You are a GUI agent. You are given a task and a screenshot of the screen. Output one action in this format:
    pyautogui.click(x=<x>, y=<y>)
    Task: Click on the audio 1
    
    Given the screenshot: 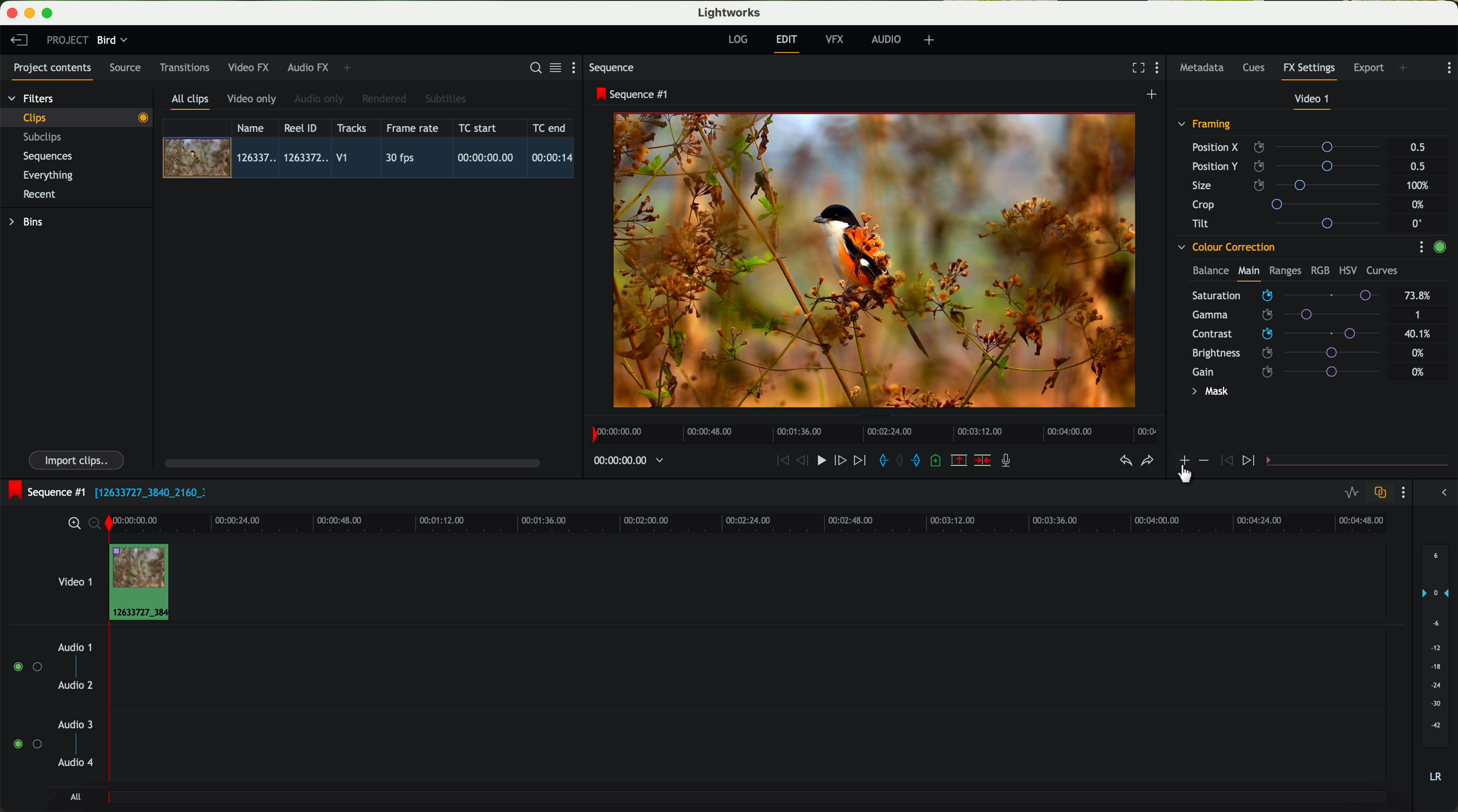 What is the action you would take?
    pyautogui.click(x=75, y=647)
    